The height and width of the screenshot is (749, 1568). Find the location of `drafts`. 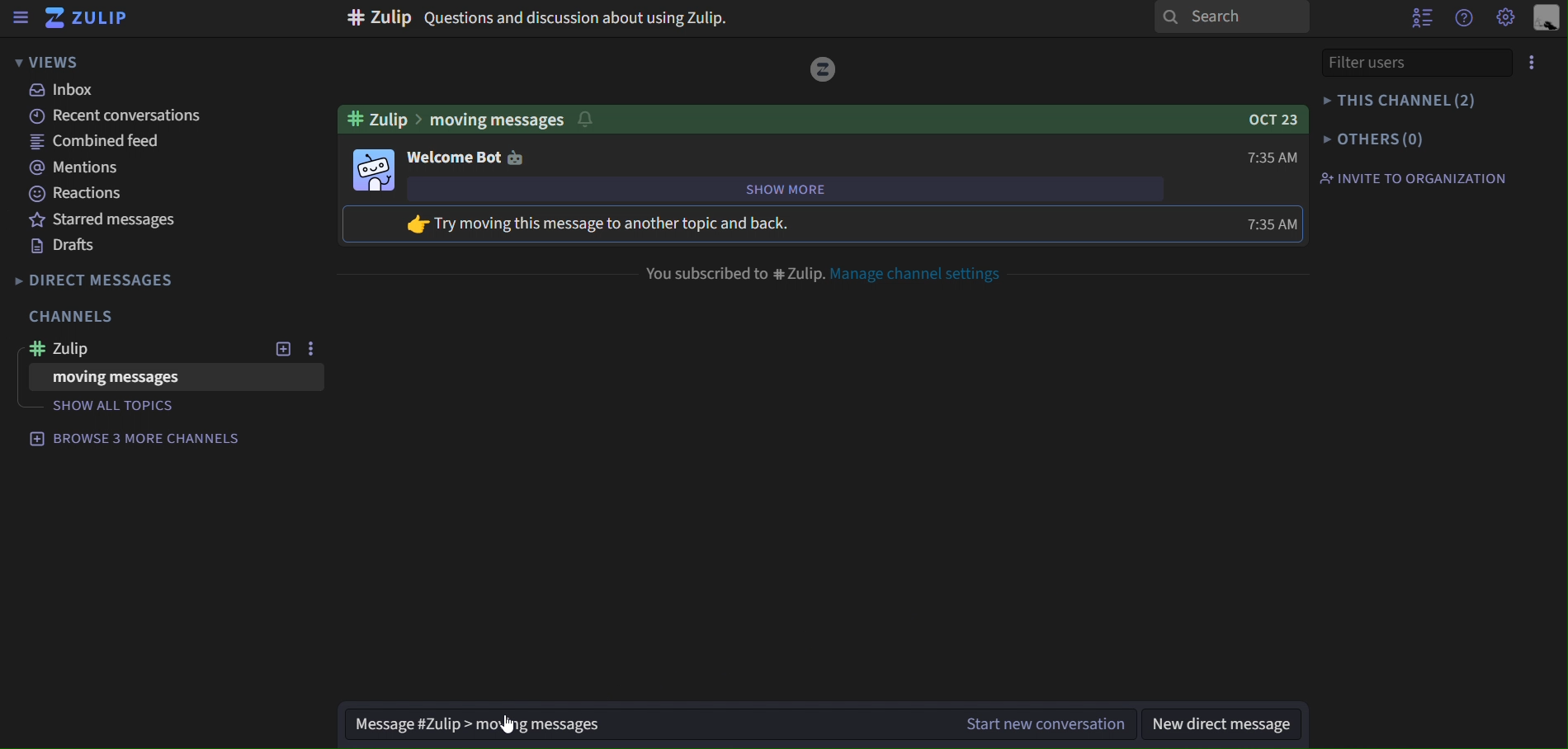

drafts is located at coordinates (72, 246).